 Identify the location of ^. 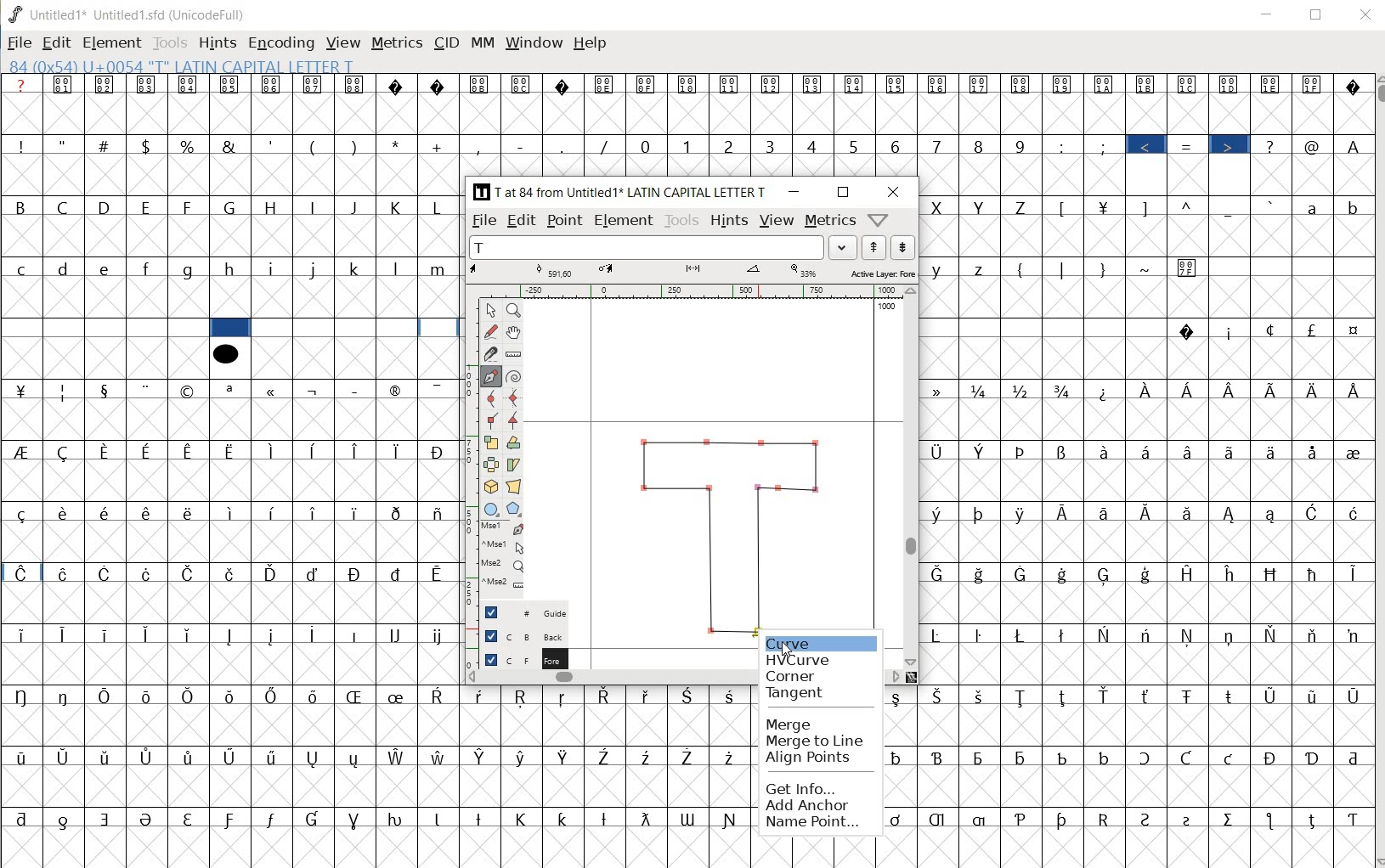
(1190, 206).